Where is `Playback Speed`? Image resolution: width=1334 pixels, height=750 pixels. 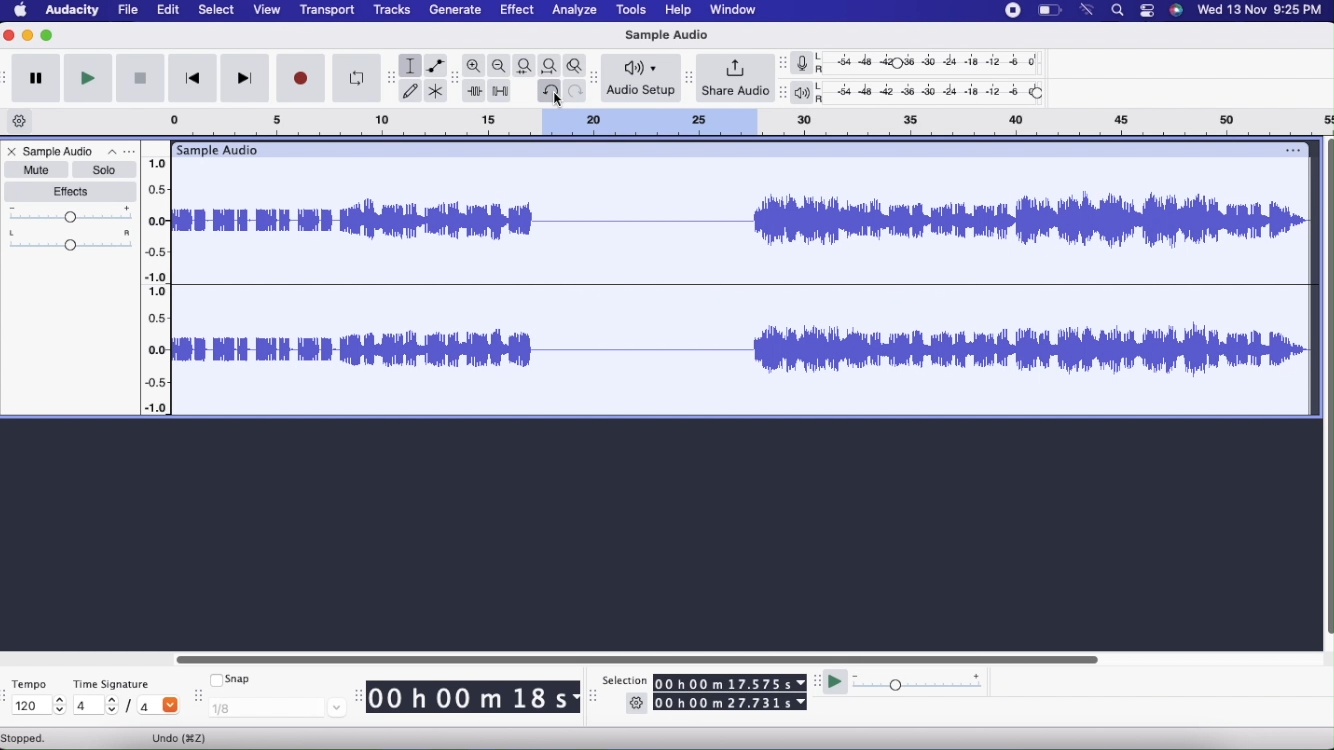
Playback Speed is located at coordinates (938, 682).